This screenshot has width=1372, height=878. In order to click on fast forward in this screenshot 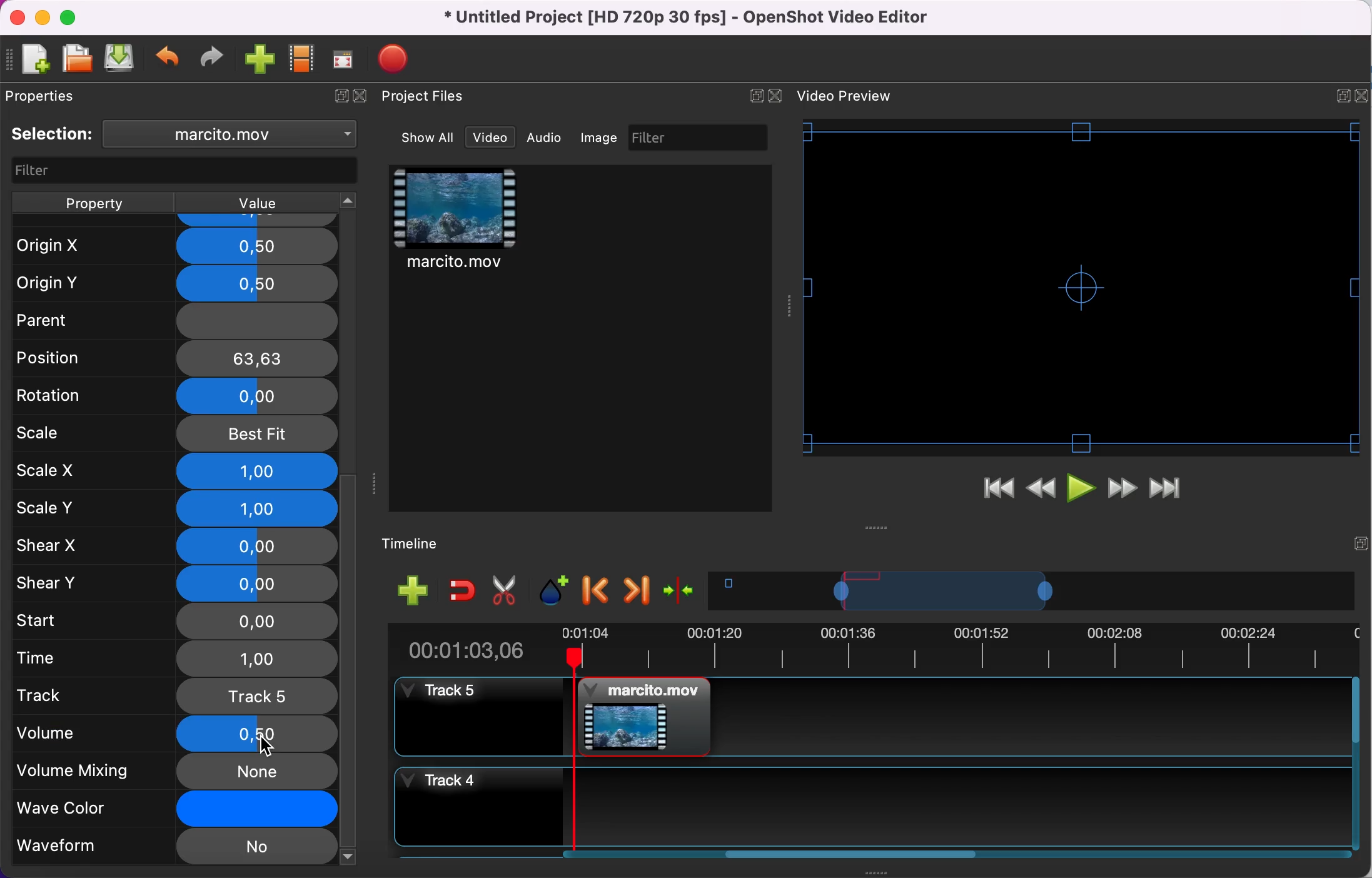, I will do `click(1122, 490)`.